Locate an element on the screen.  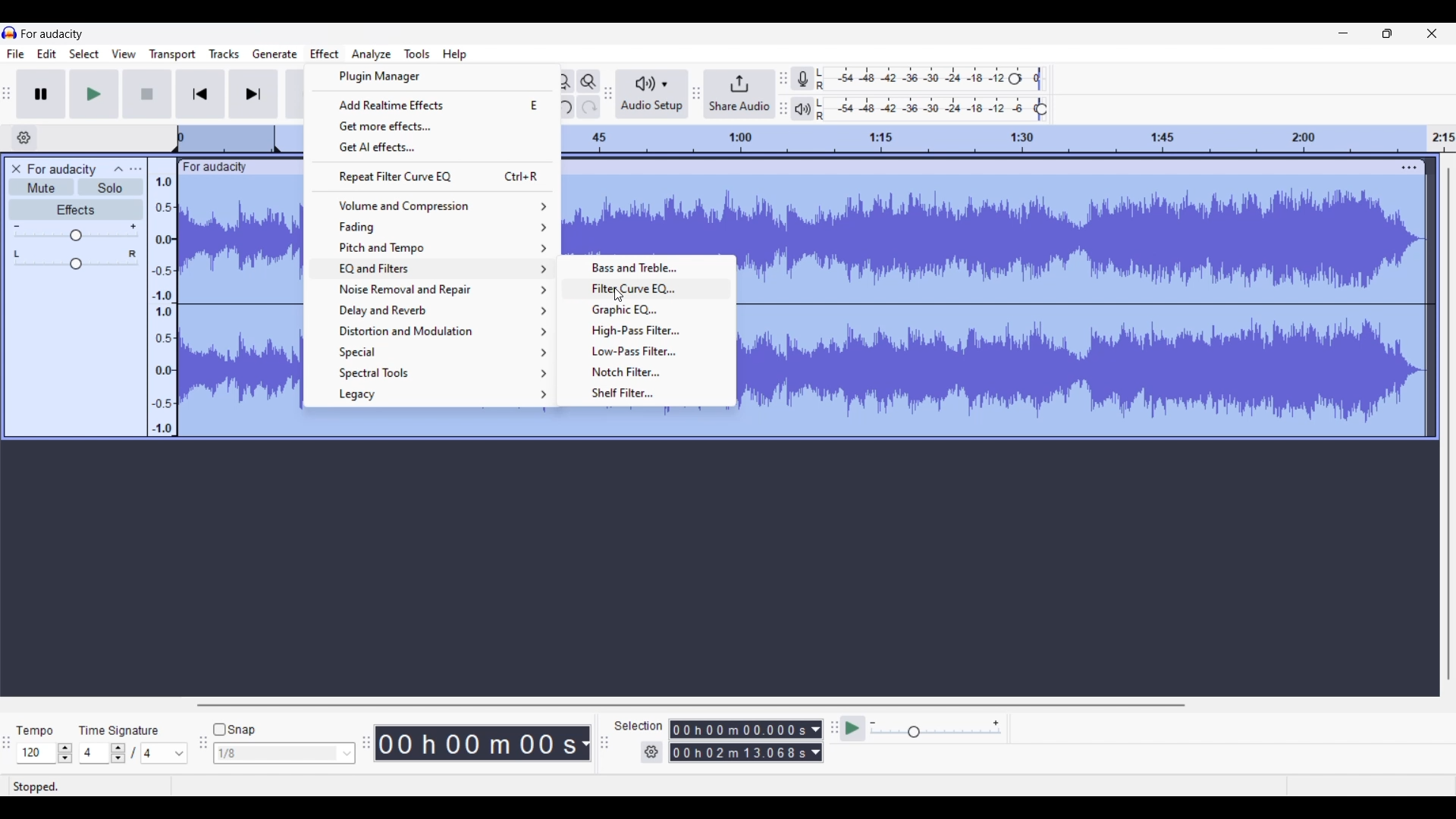
Track selected is located at coordinates (519, 424).